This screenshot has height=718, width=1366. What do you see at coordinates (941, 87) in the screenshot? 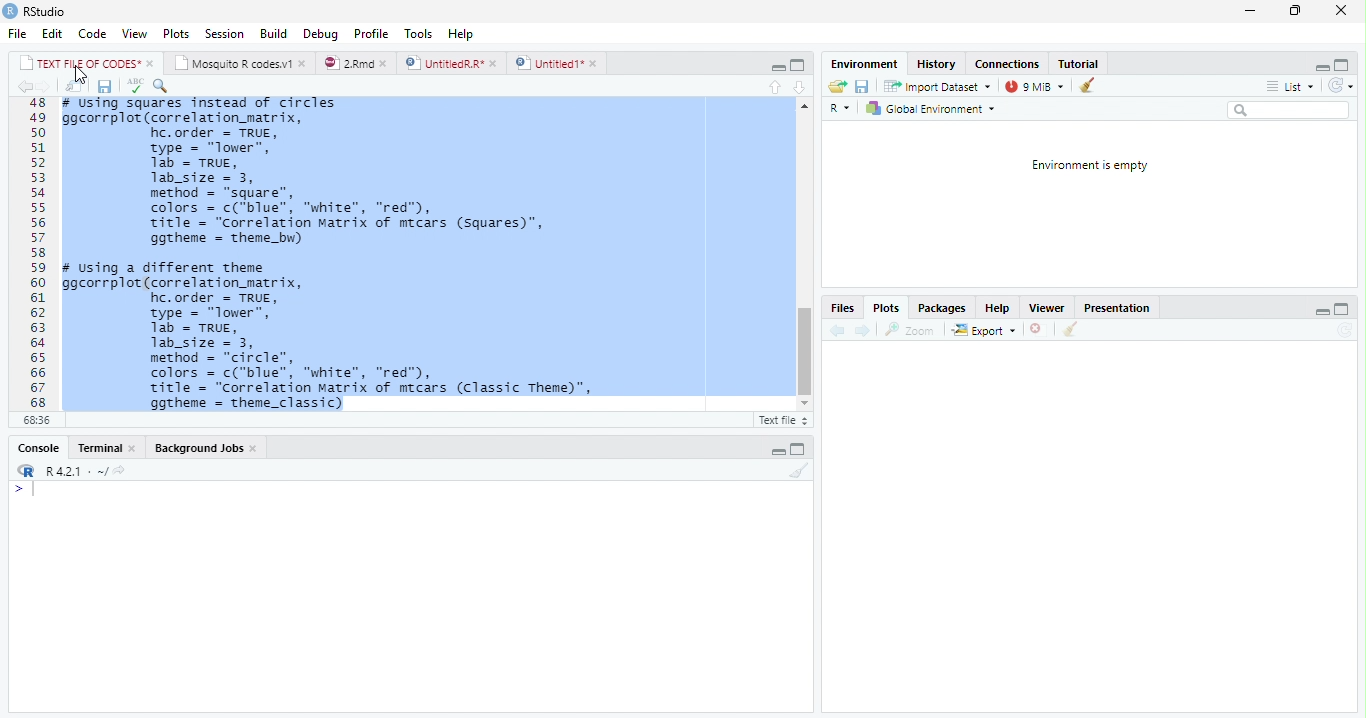
I see `imoort Dataset ~` at bounding box center [941, 87].